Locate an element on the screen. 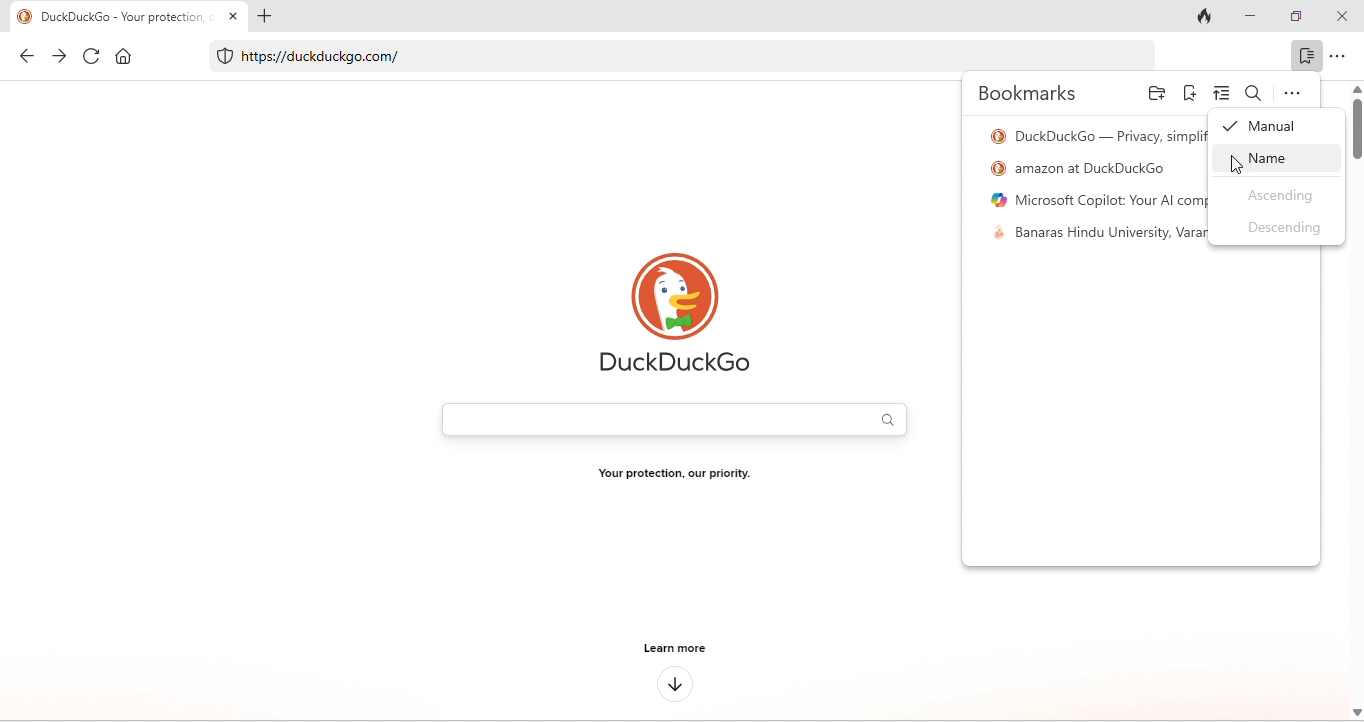 Image resolution: width=1364 pixels, height=722 pixels. search bar is located at coordinates (673, 417).